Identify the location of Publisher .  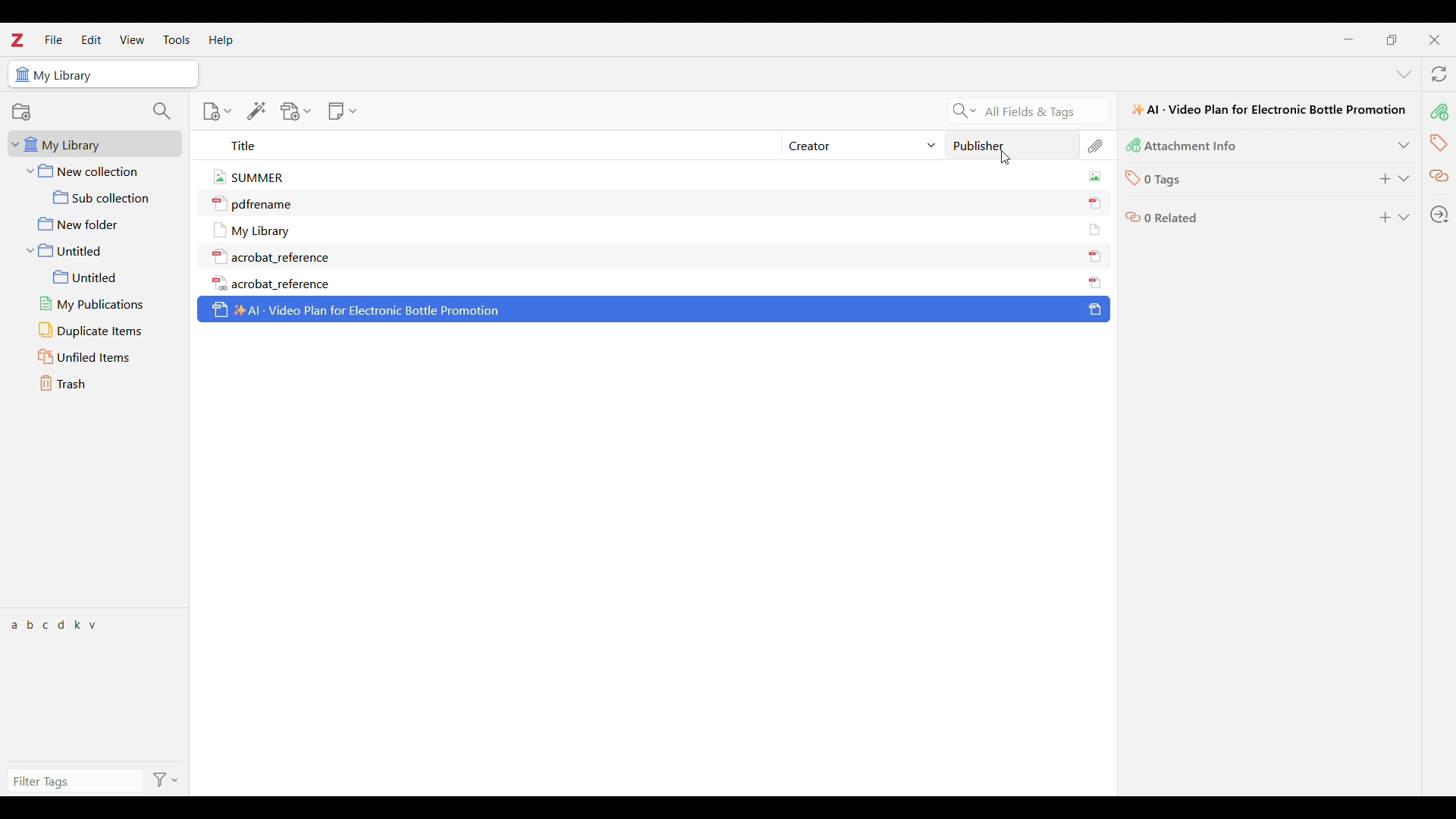
(1012, 145).